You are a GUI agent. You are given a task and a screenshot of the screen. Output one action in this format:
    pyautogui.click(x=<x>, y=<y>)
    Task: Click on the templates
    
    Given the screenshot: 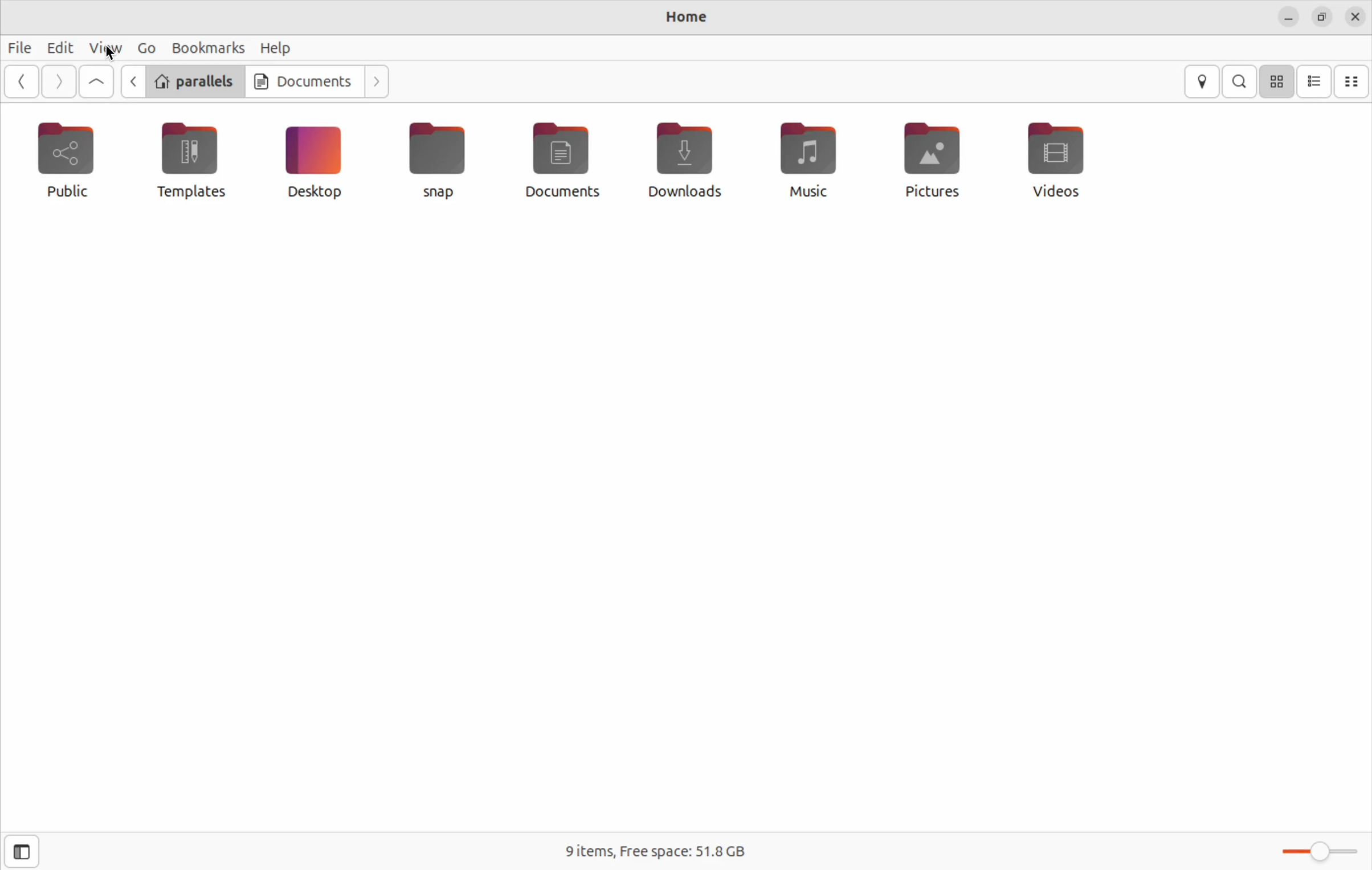 What is the action you would take?
    pyautogui.click(x=186, y=161)
    